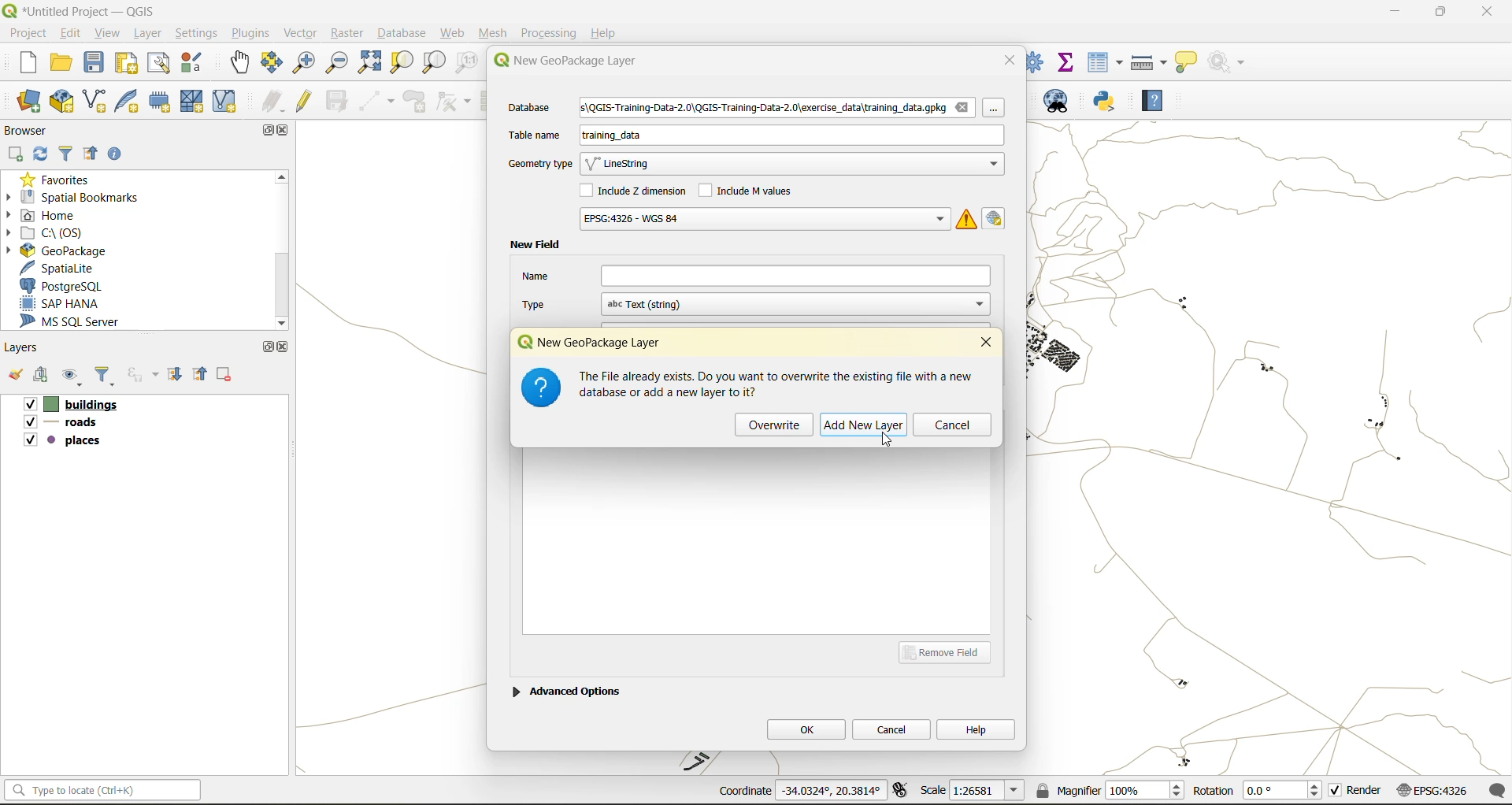 The image size is (1512, 805). I want to click on browser, so click(31, 130).